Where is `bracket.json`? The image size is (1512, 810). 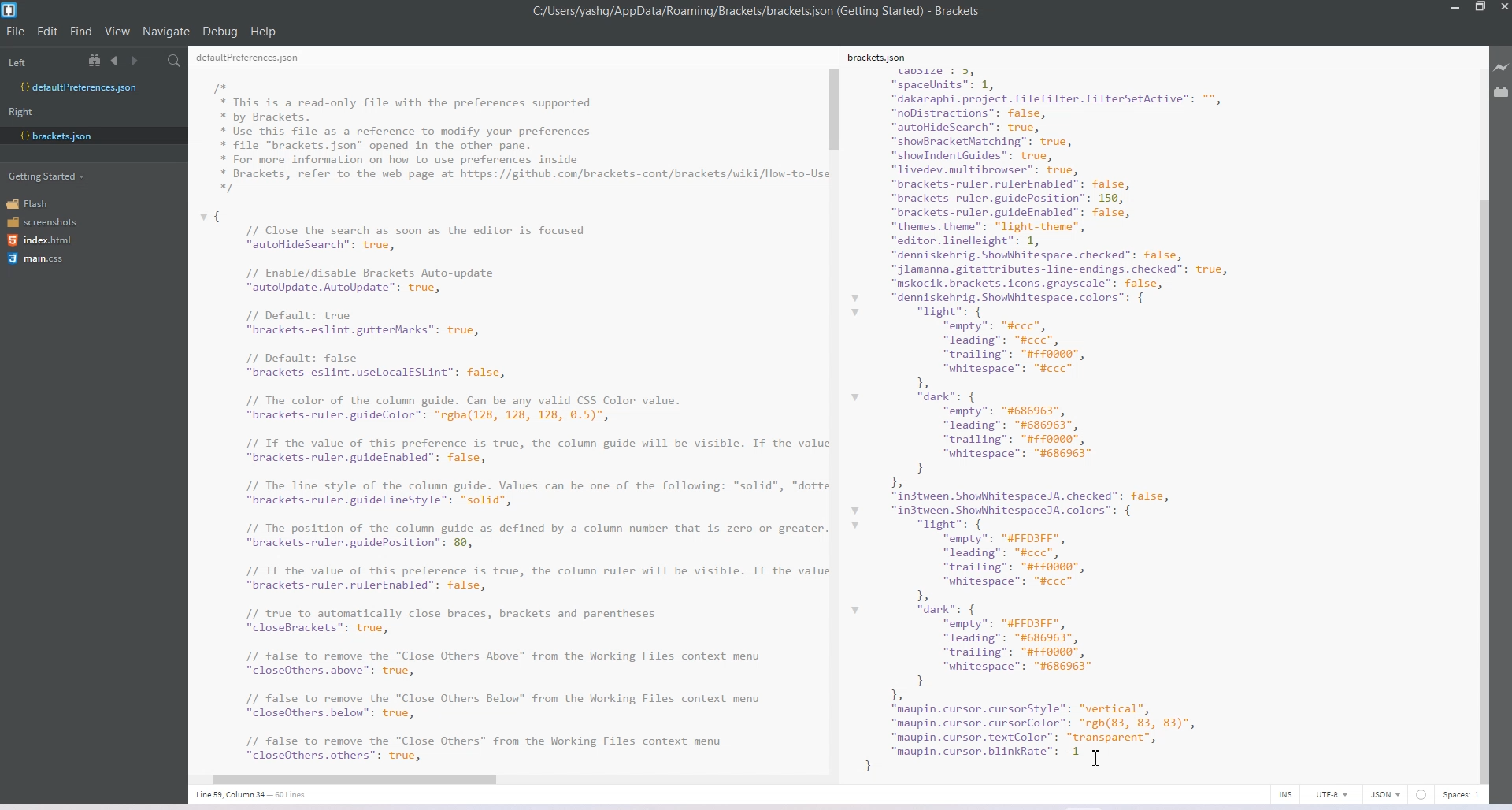 bracket.json is located at coordinates (90, 135).